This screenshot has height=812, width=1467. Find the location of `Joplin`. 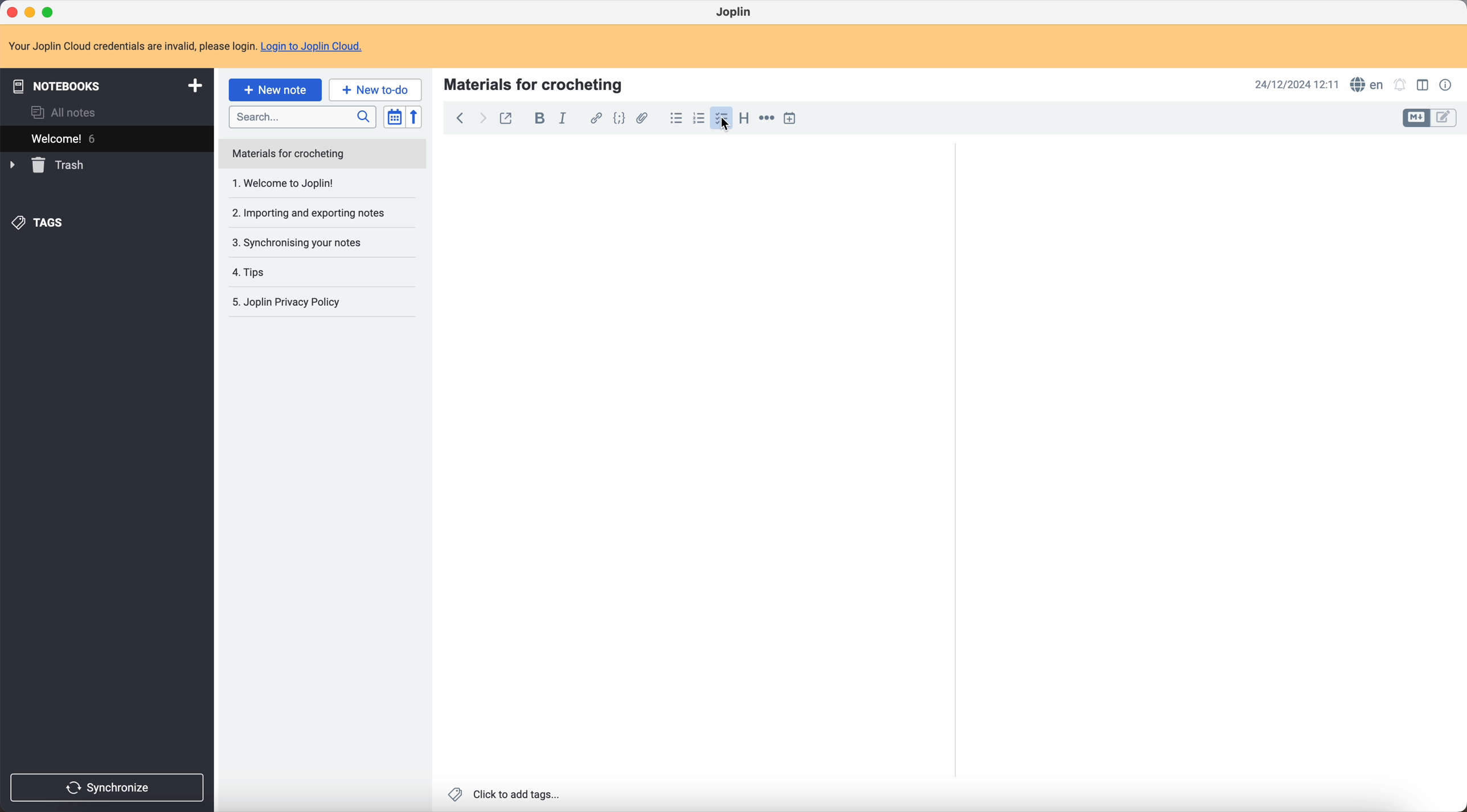

Joplin is located at coordinates (735, 13).